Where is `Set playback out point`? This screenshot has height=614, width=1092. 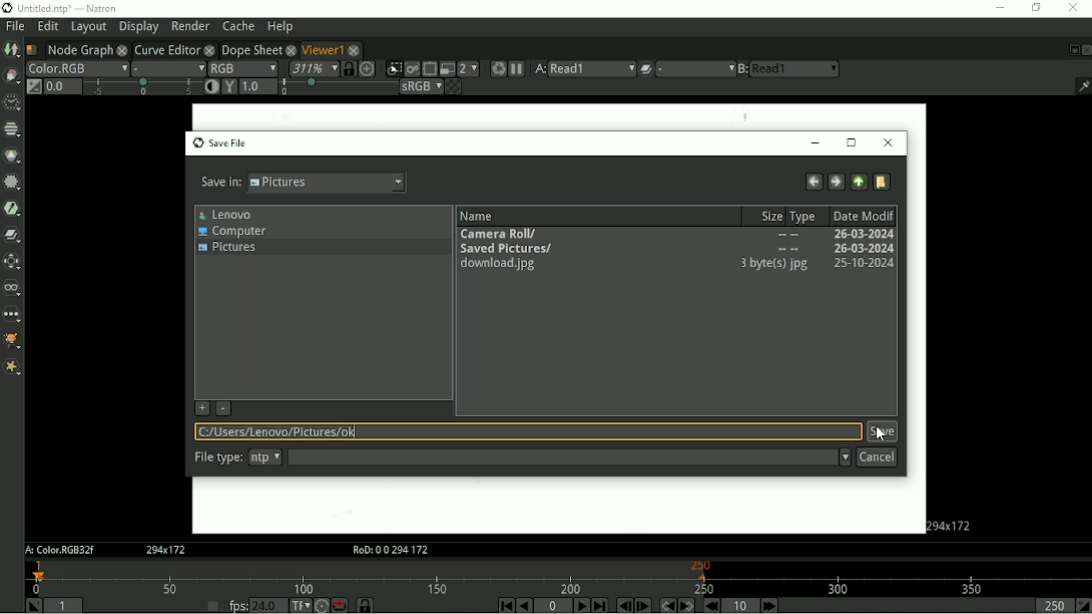 Set playback out point is located at coordinates (1083, 605).